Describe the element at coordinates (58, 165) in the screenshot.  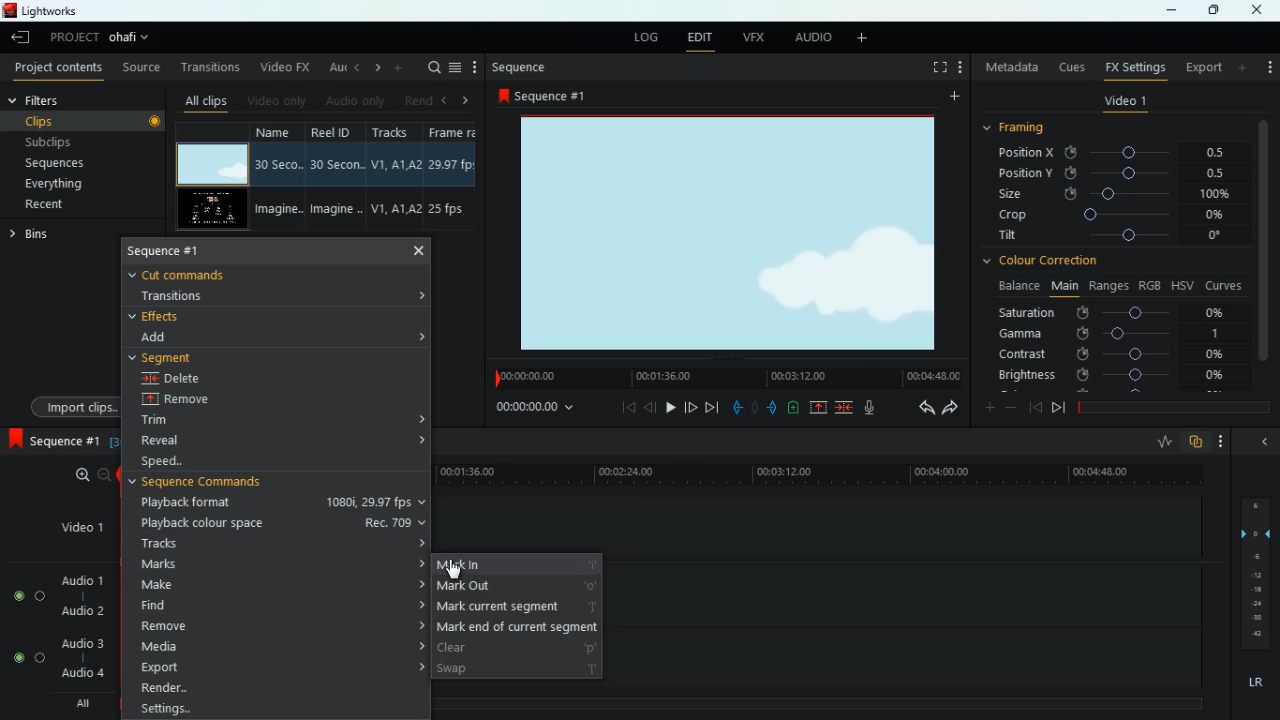
I see `sequences` at that location.